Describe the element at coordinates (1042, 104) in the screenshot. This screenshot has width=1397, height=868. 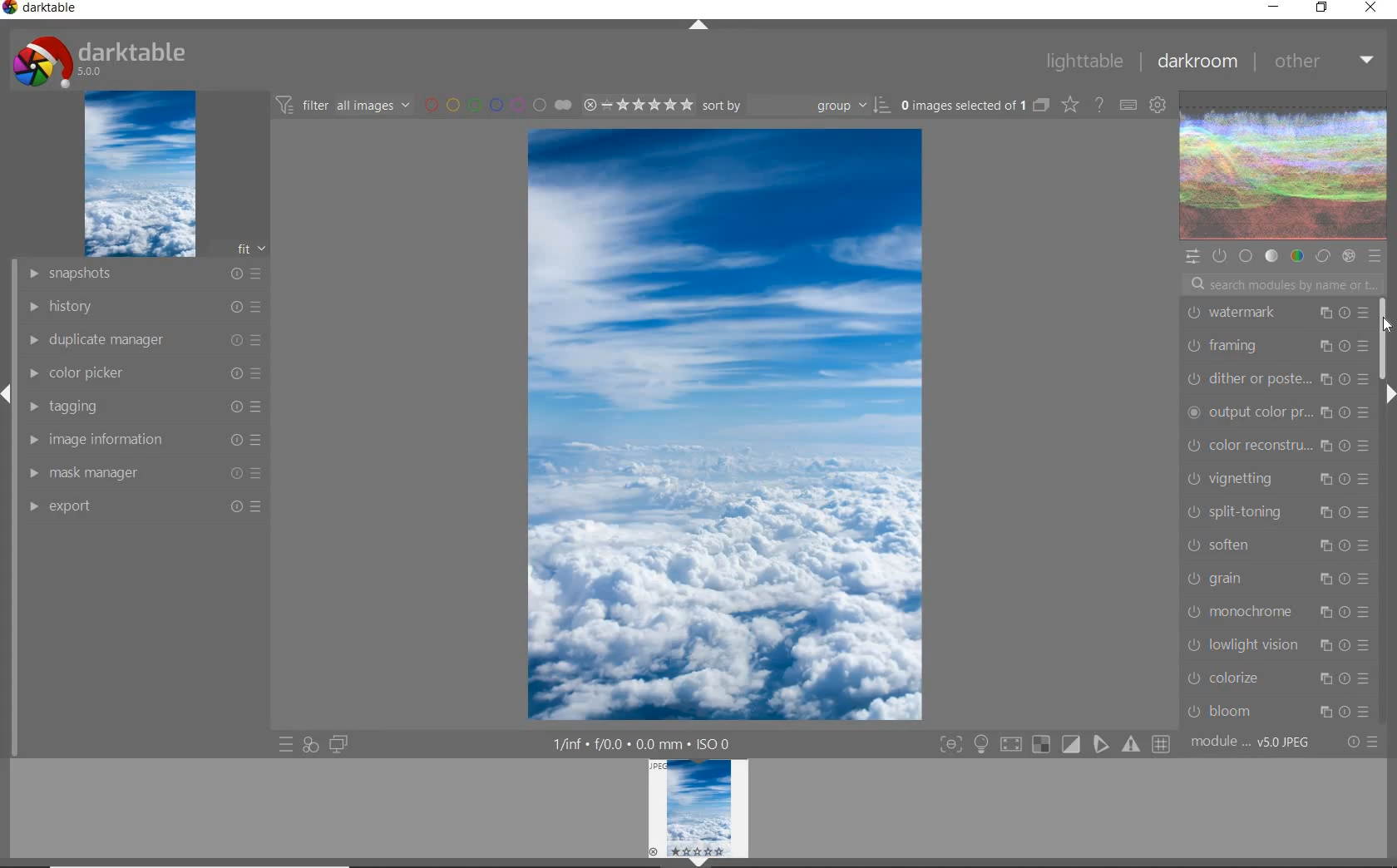
I see `COLLAPSE GROUPED IMAGES` at that location.